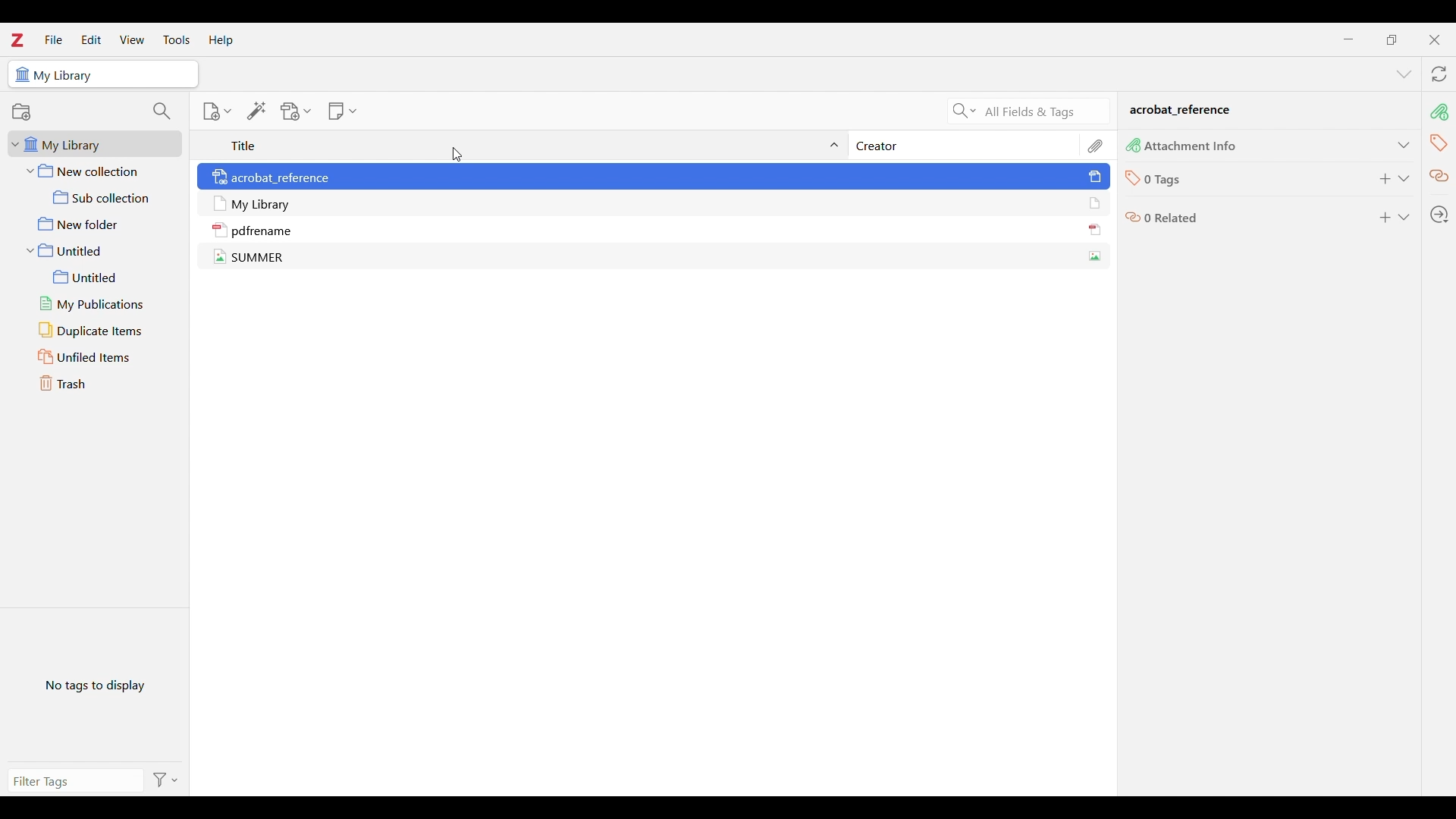 This screenshot has width=1456, height=819. What do you see at coordinates (1404, 145) in the screenshot?
I see `Expand attachment info` at bounding box center [1404, 145].